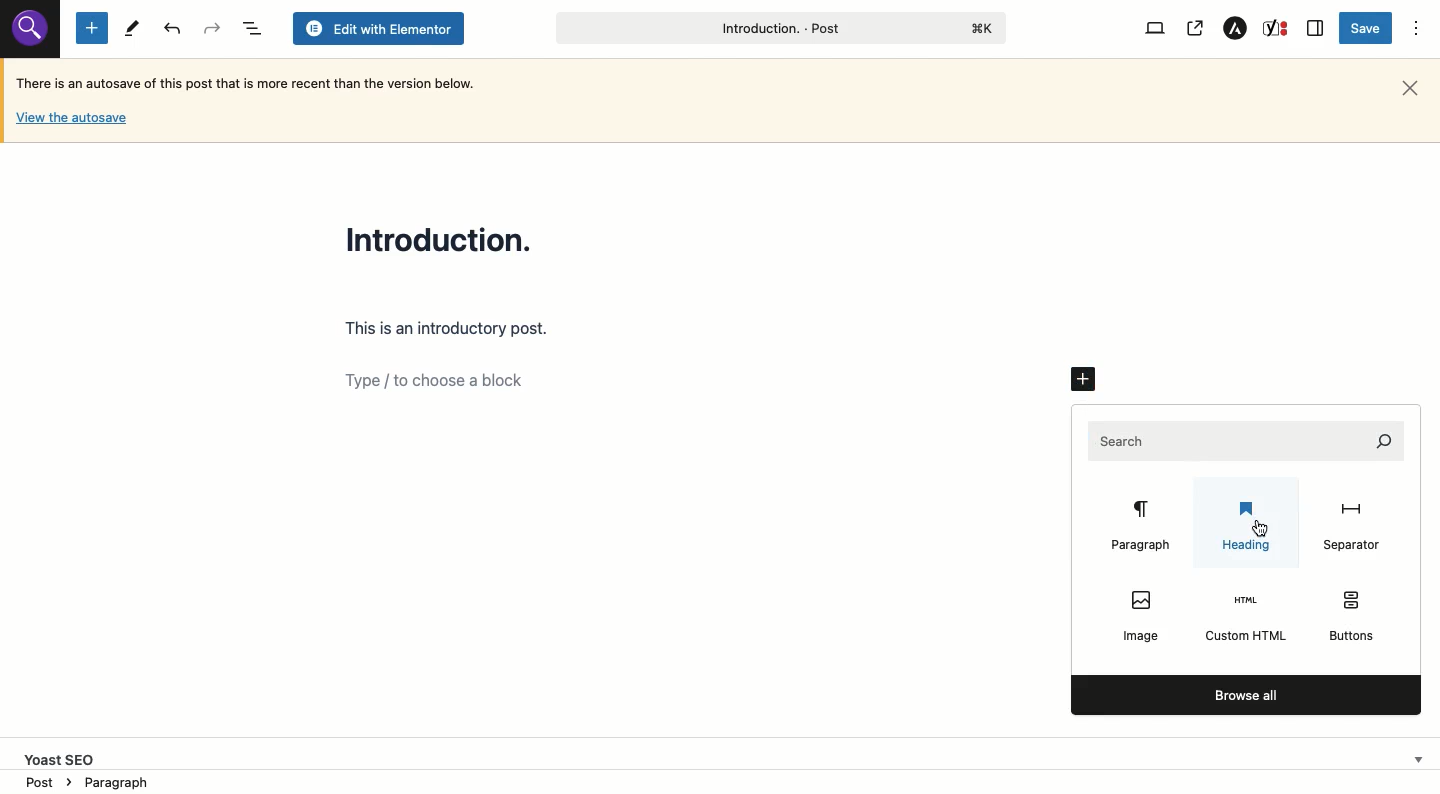  Describe the element at coordinates (1248, 440) in the screenshot. I see `Search` at that location.